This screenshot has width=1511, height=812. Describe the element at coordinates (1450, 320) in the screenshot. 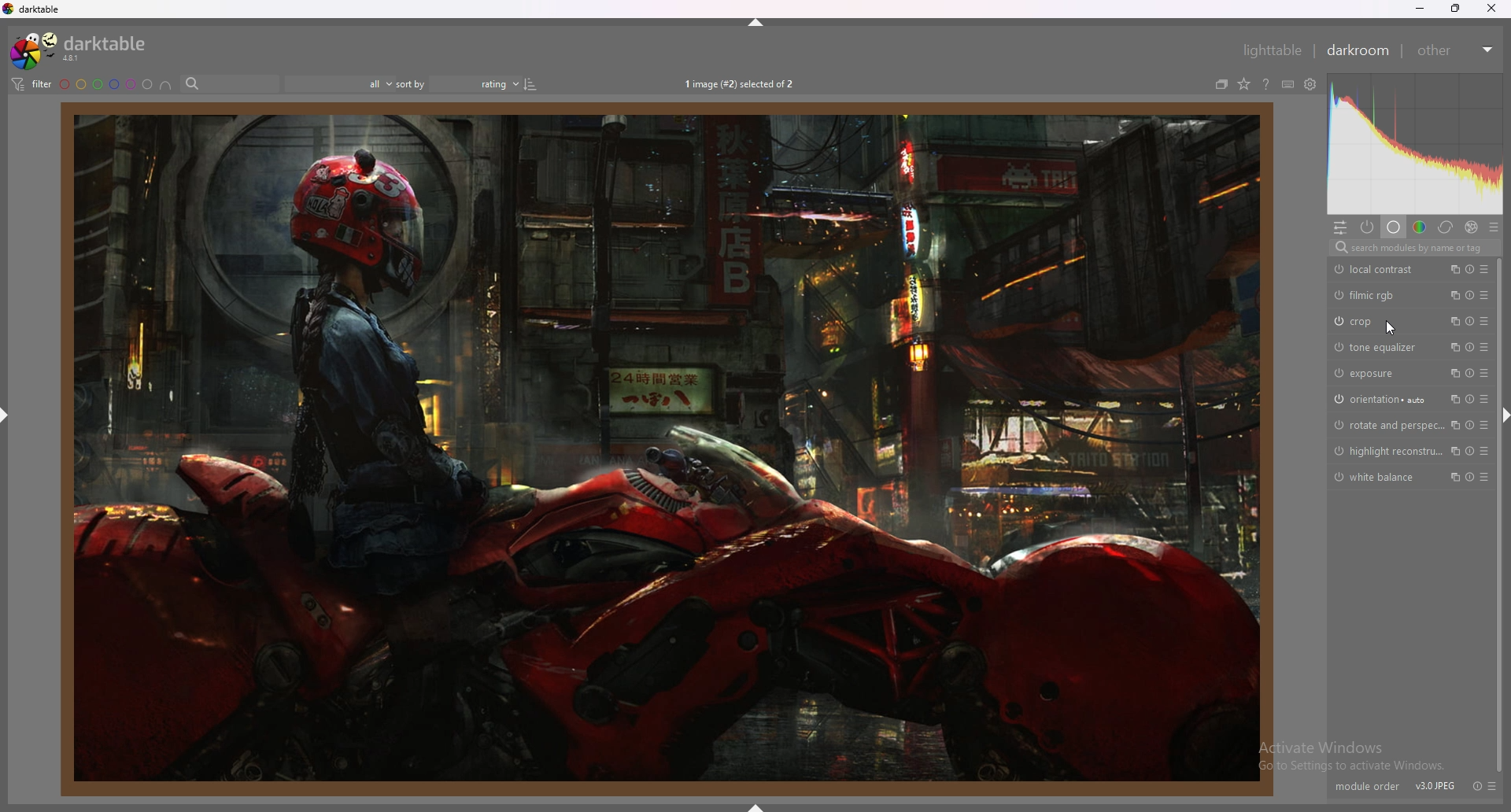

I see `multiple instances action` at that location.